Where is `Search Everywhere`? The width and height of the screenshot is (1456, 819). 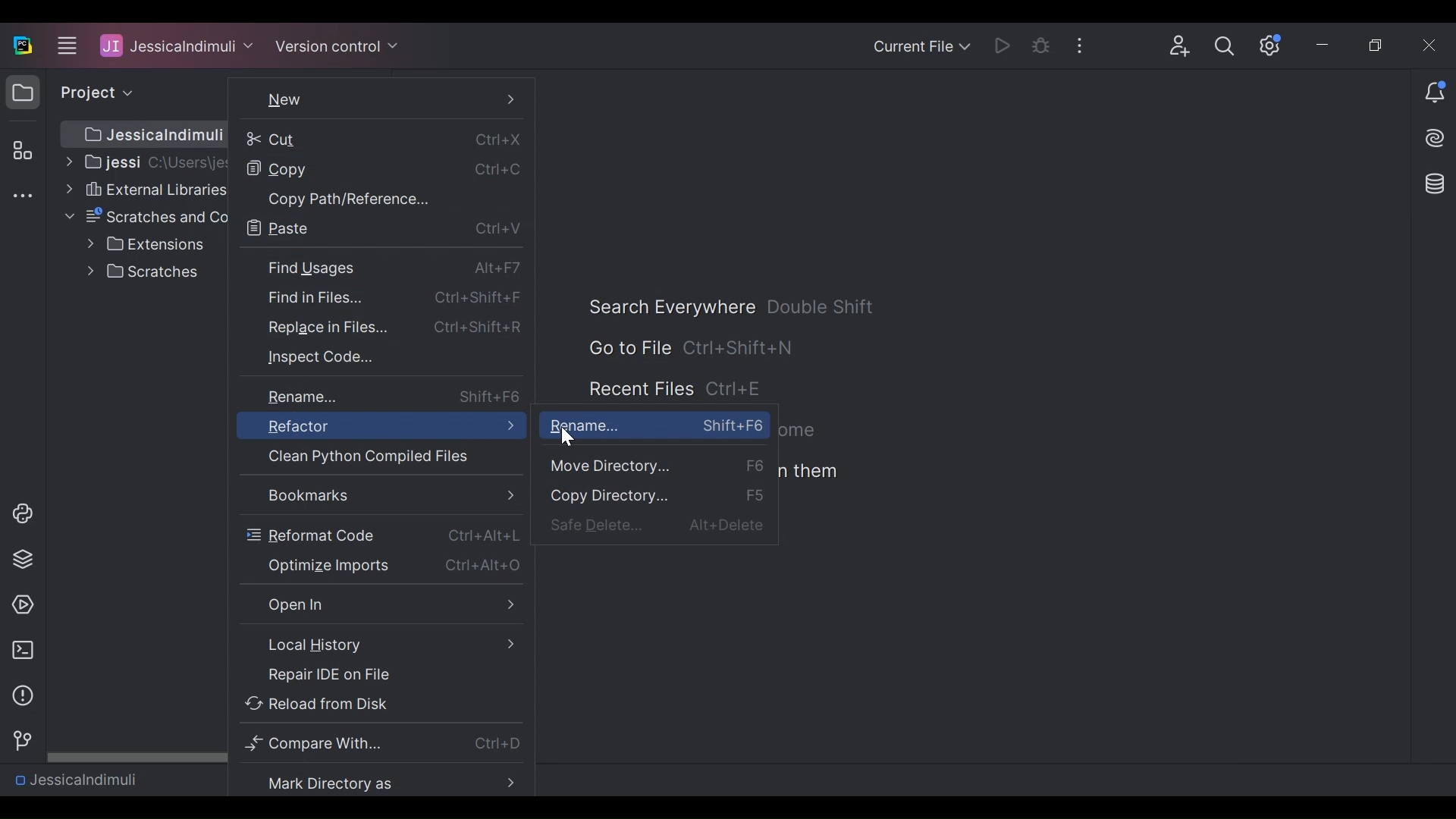 Search Everywhere is located at coordinates (670, 307).